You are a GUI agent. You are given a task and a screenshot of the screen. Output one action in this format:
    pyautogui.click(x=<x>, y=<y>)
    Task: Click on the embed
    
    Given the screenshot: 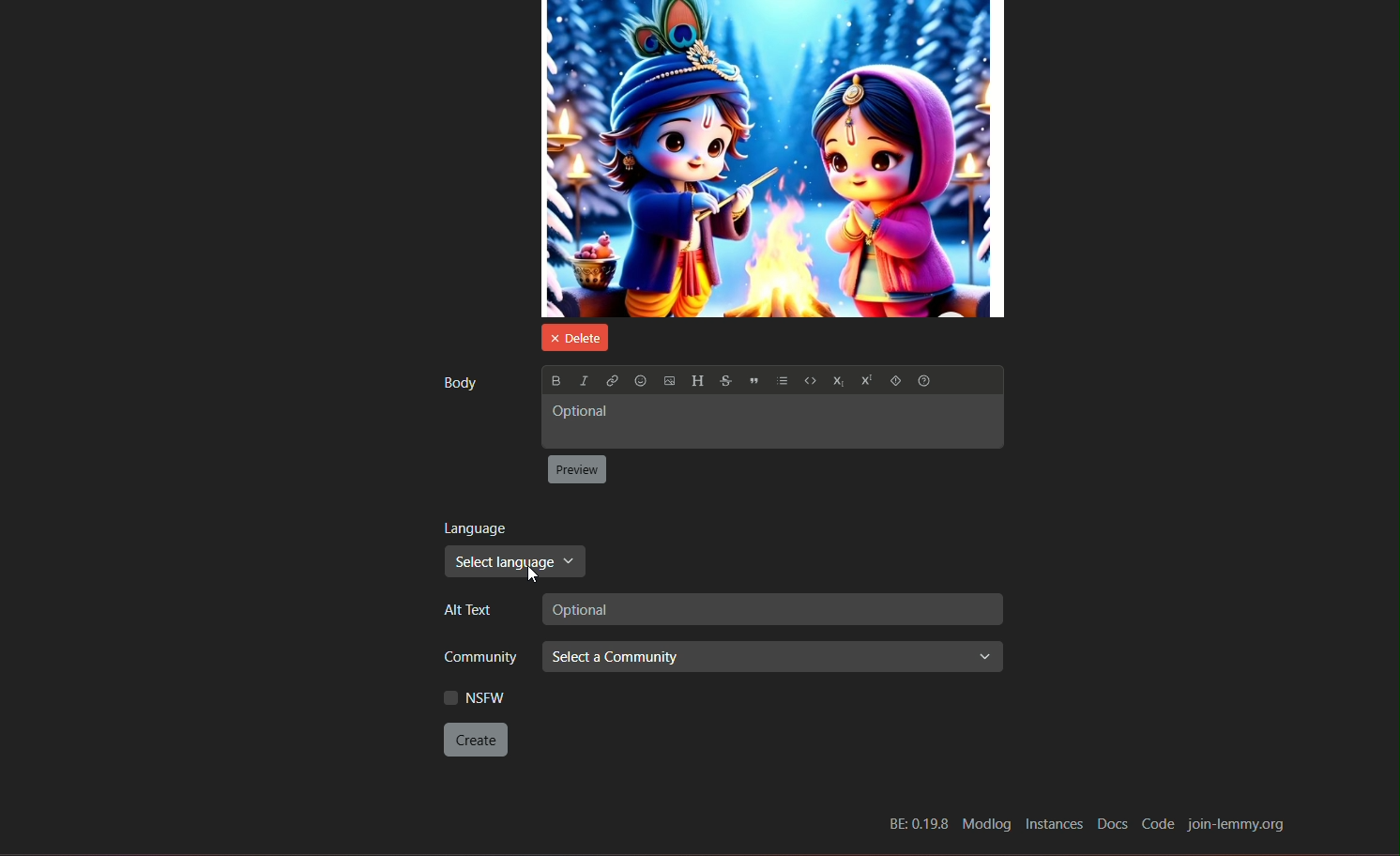 What is the action you would take?
    pyautogui.click(x=809, y=383)
    